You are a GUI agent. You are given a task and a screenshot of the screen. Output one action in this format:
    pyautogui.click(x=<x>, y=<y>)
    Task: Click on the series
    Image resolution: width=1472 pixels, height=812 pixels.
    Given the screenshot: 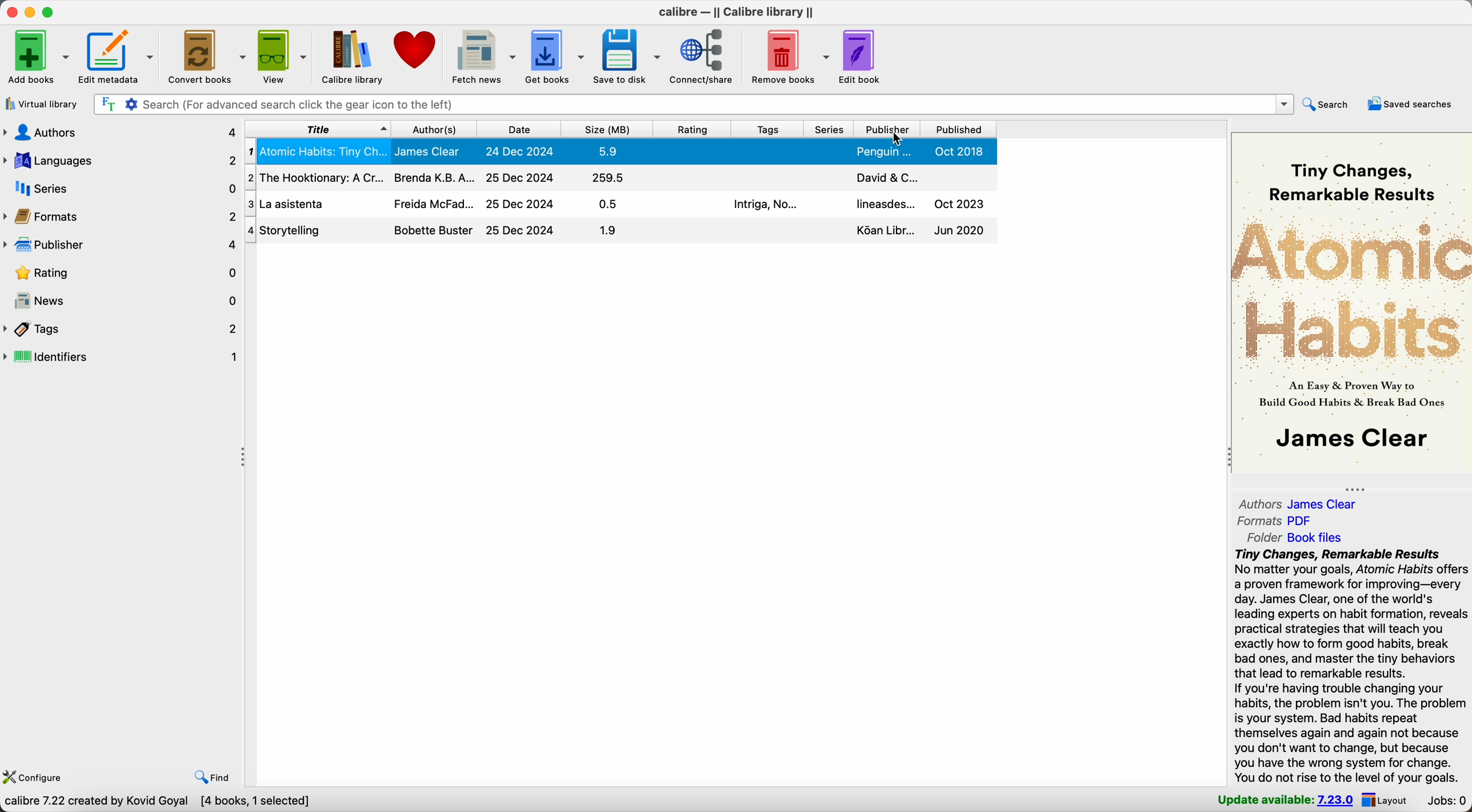 What is the action you would take?
    pyautogui.click(x=831, y=129)
    